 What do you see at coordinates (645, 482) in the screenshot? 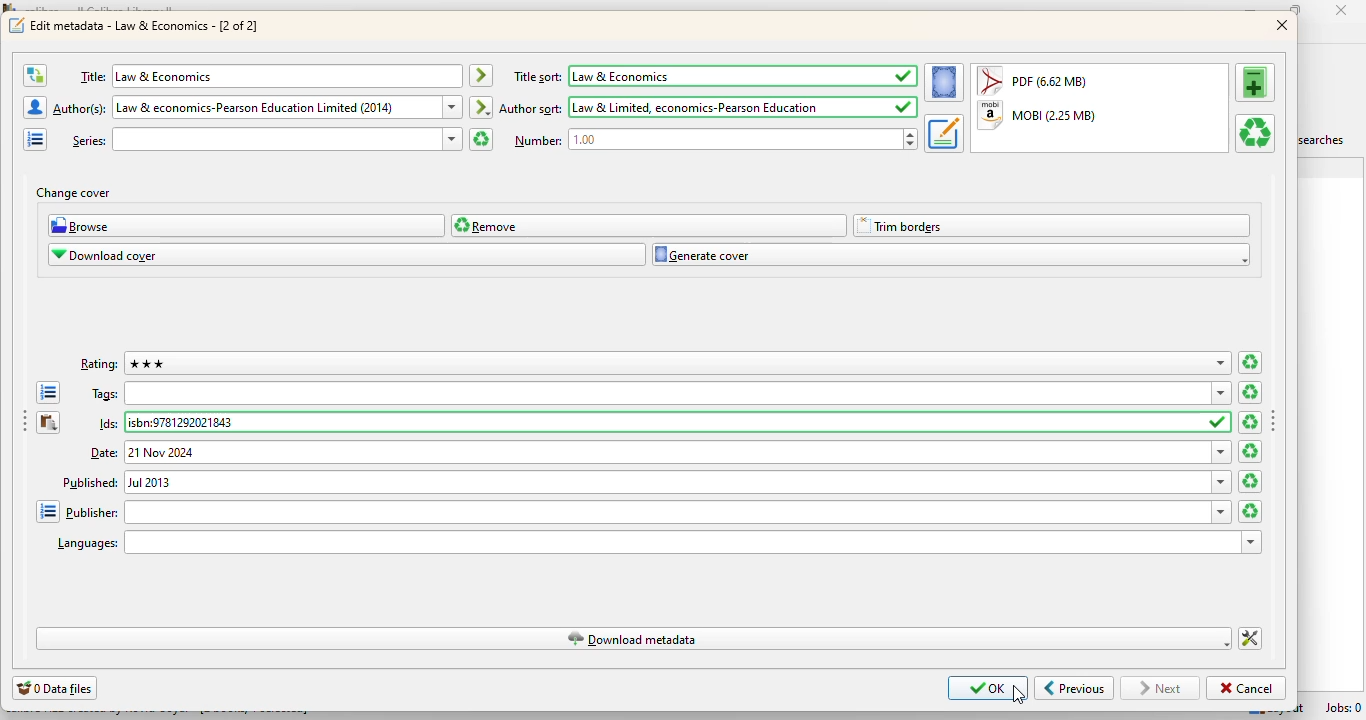
I see `published` at bounding box center [645, 482].